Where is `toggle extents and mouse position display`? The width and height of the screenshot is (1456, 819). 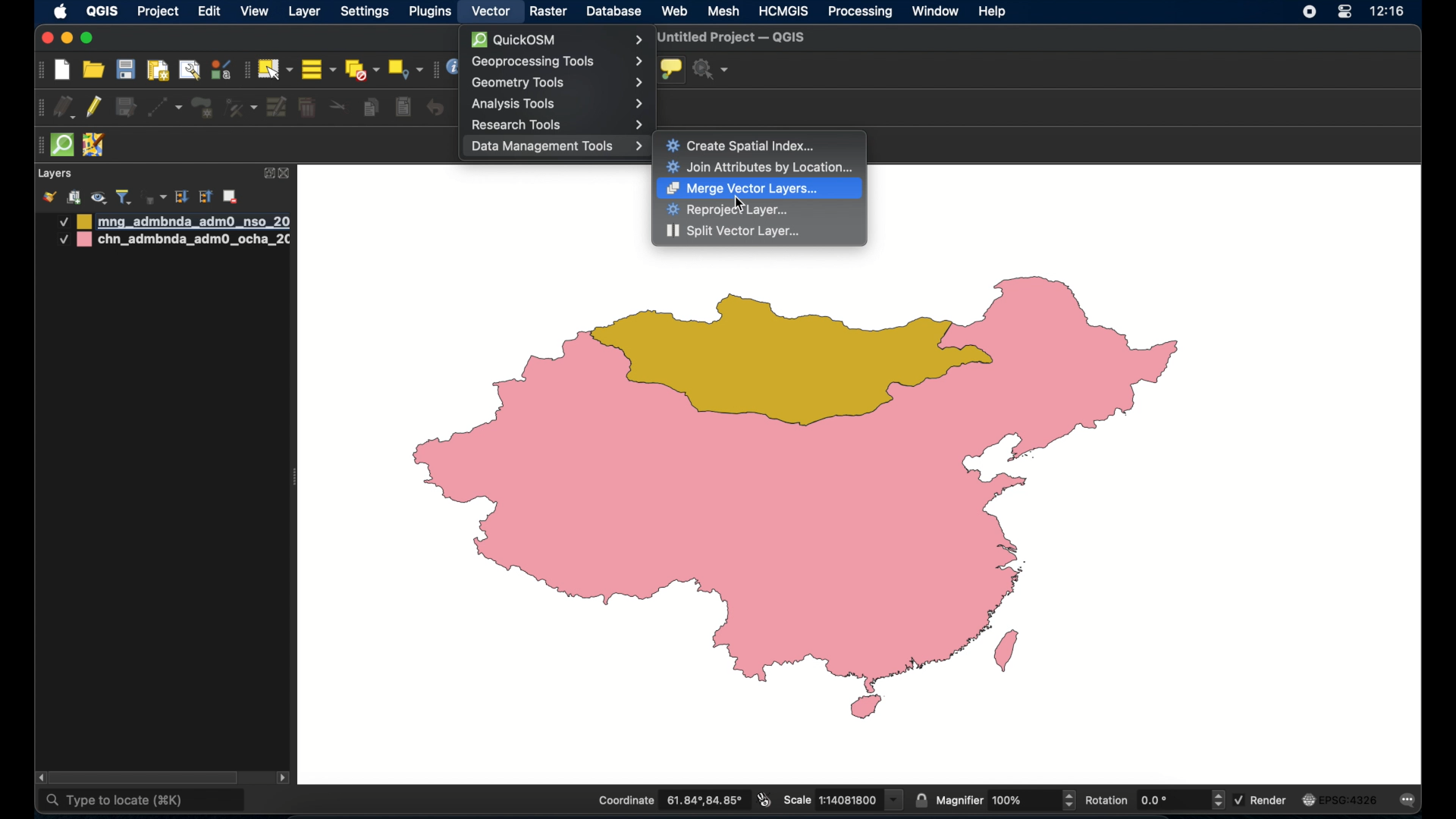
toggle extents and mouse position display is located at coordinates (762, 799).